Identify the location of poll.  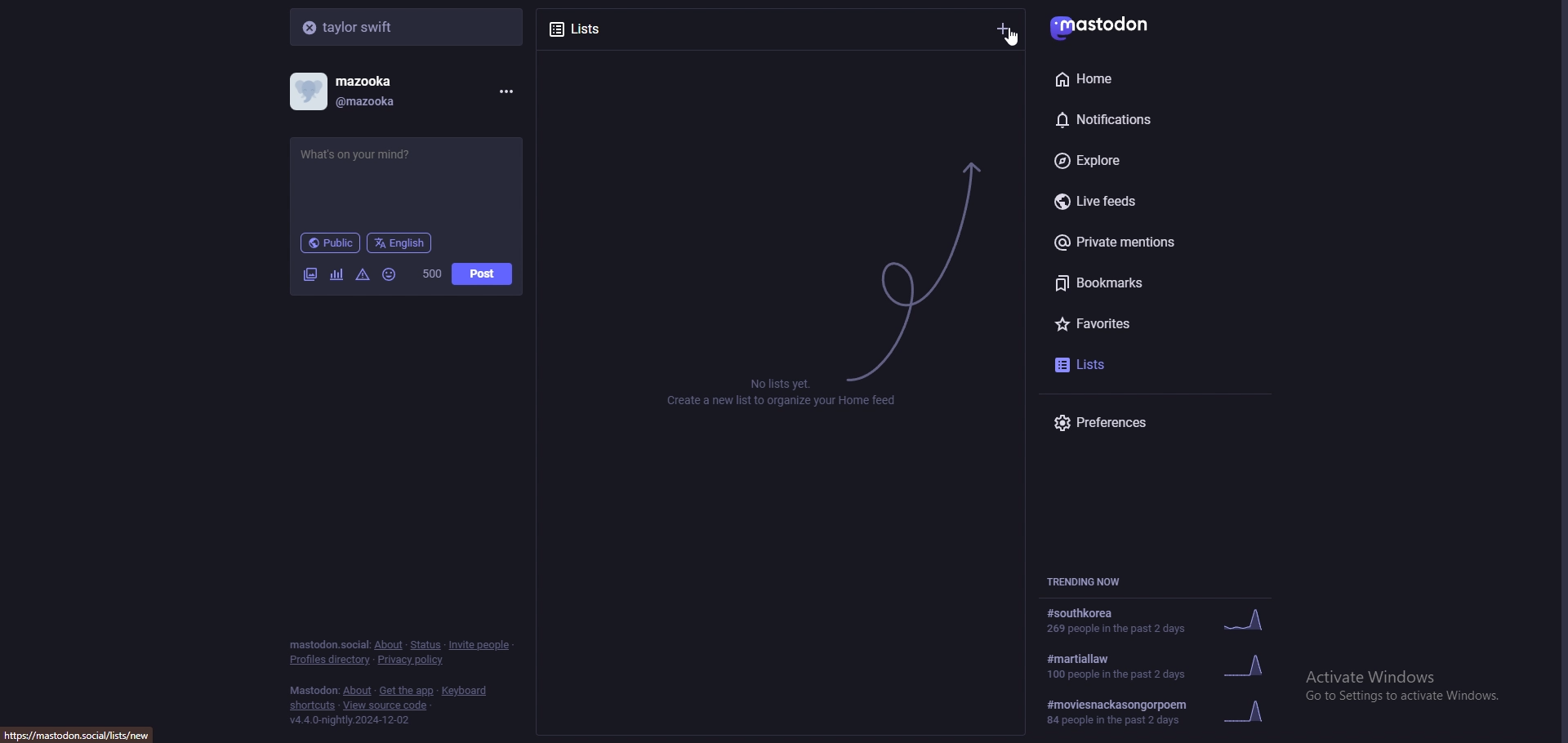
(336, 274).